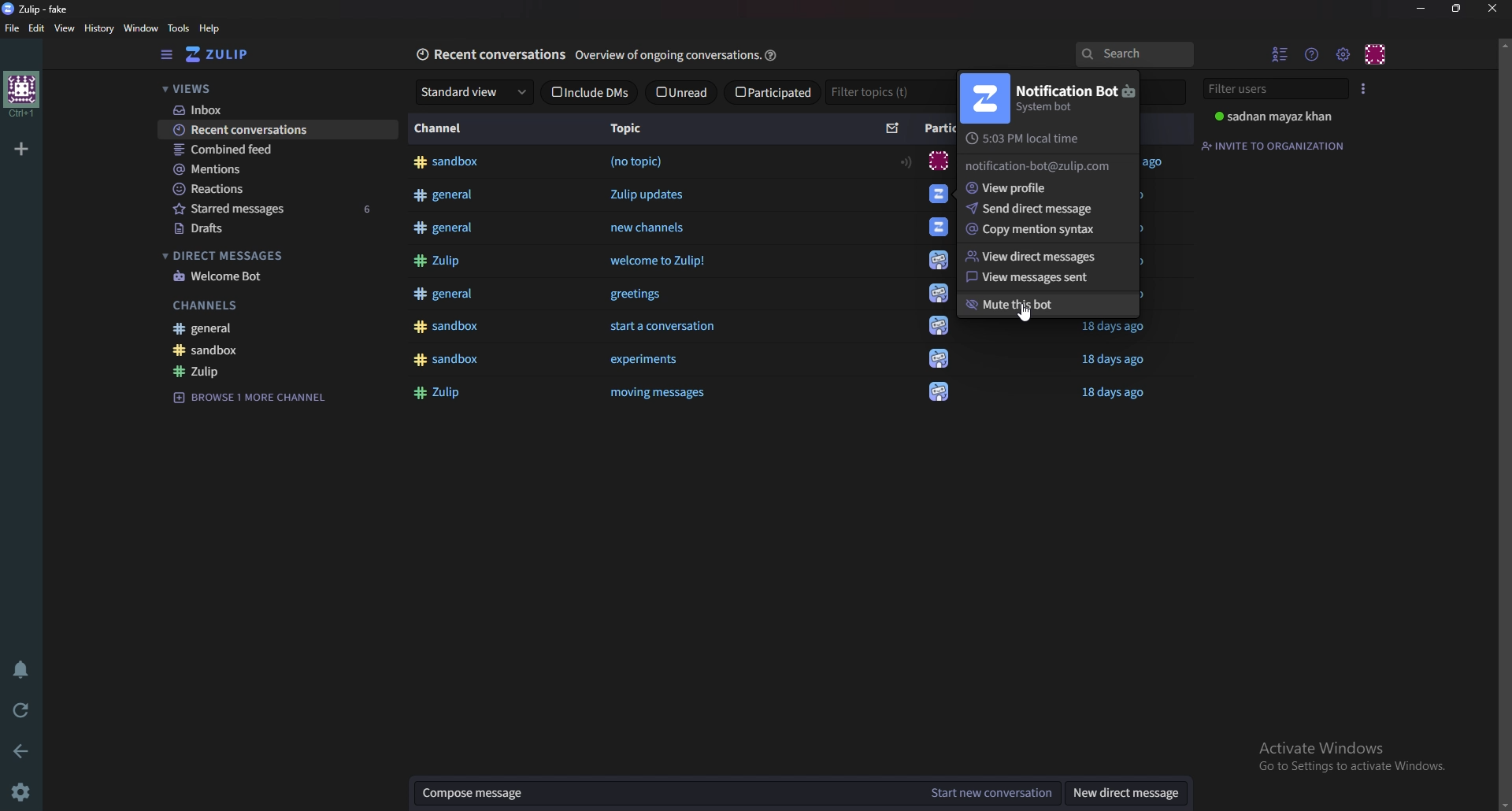  I want to click on Send direct message, so click(1041, 209).